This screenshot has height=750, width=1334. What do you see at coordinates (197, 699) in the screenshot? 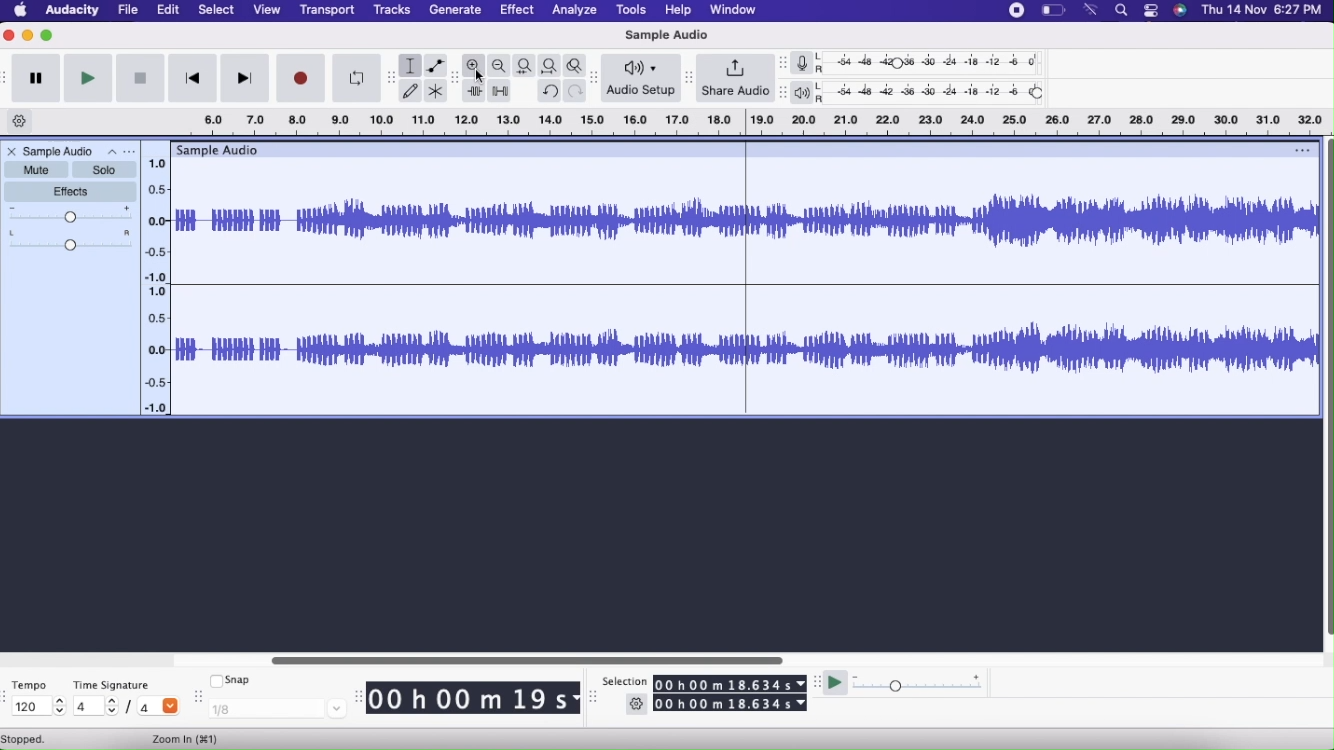
I see `resize` at bounding box center [197, 699].